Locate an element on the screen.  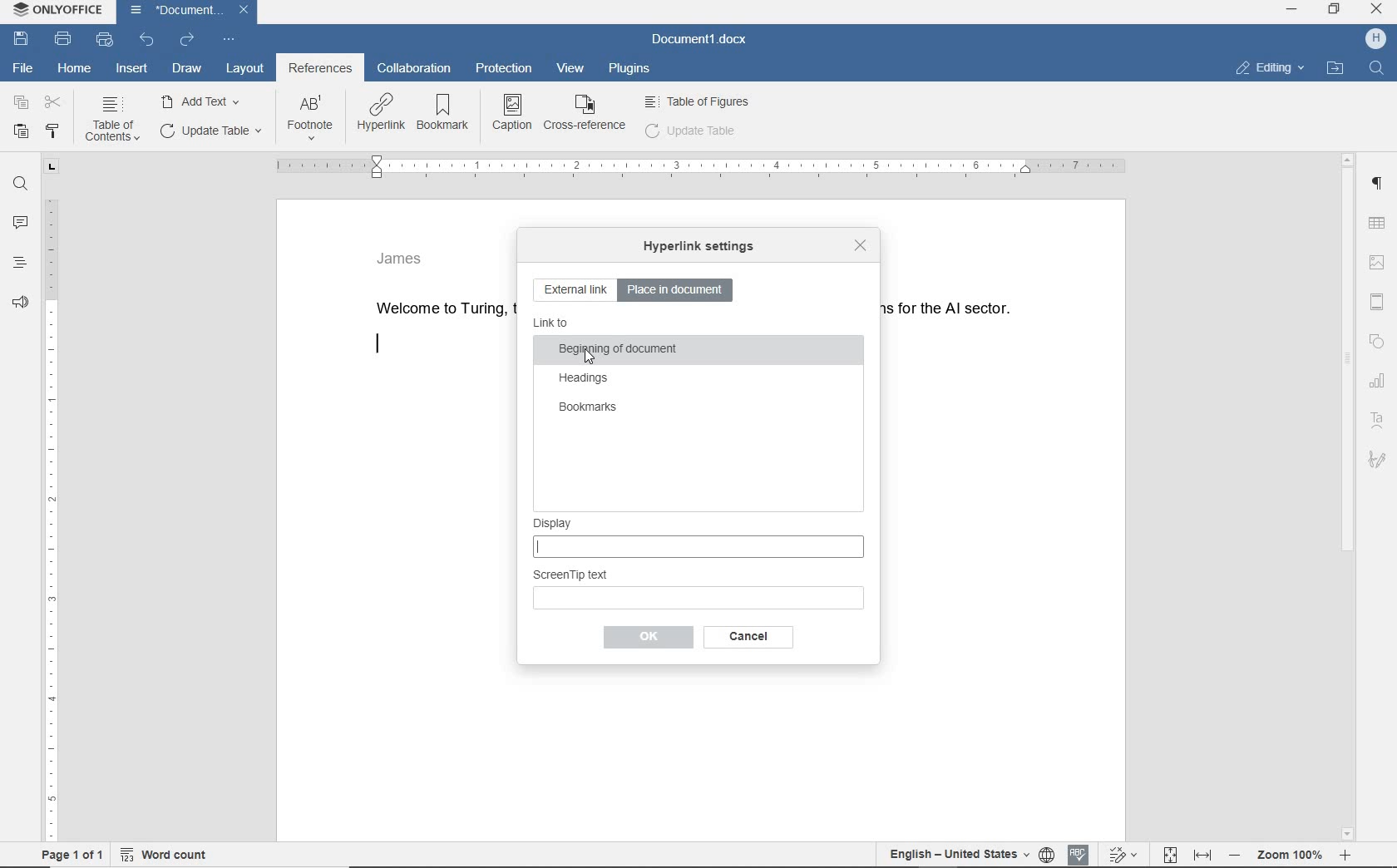
print file is located at coordinates (64, 40).